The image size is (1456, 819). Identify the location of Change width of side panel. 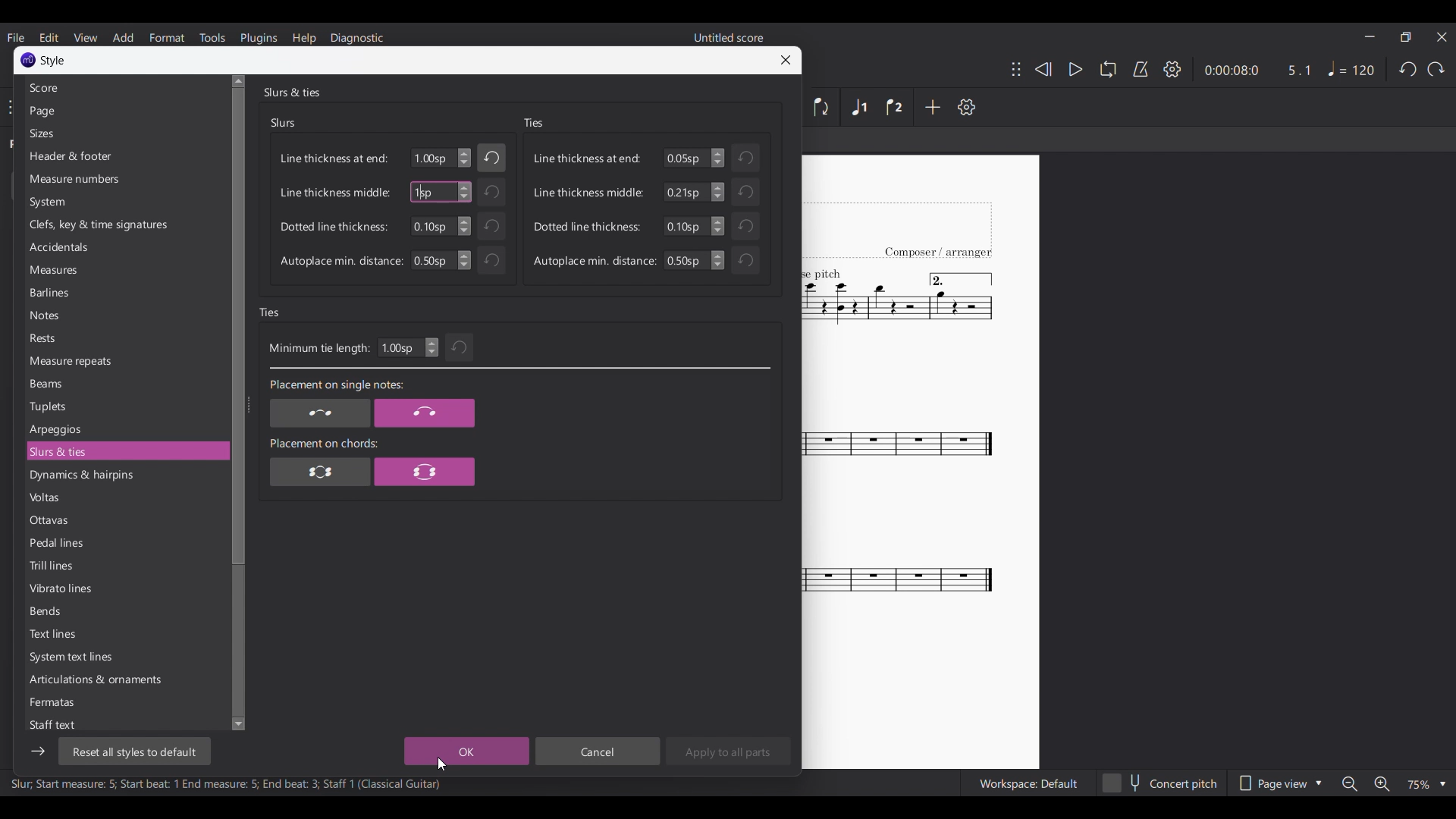
(248, 404).